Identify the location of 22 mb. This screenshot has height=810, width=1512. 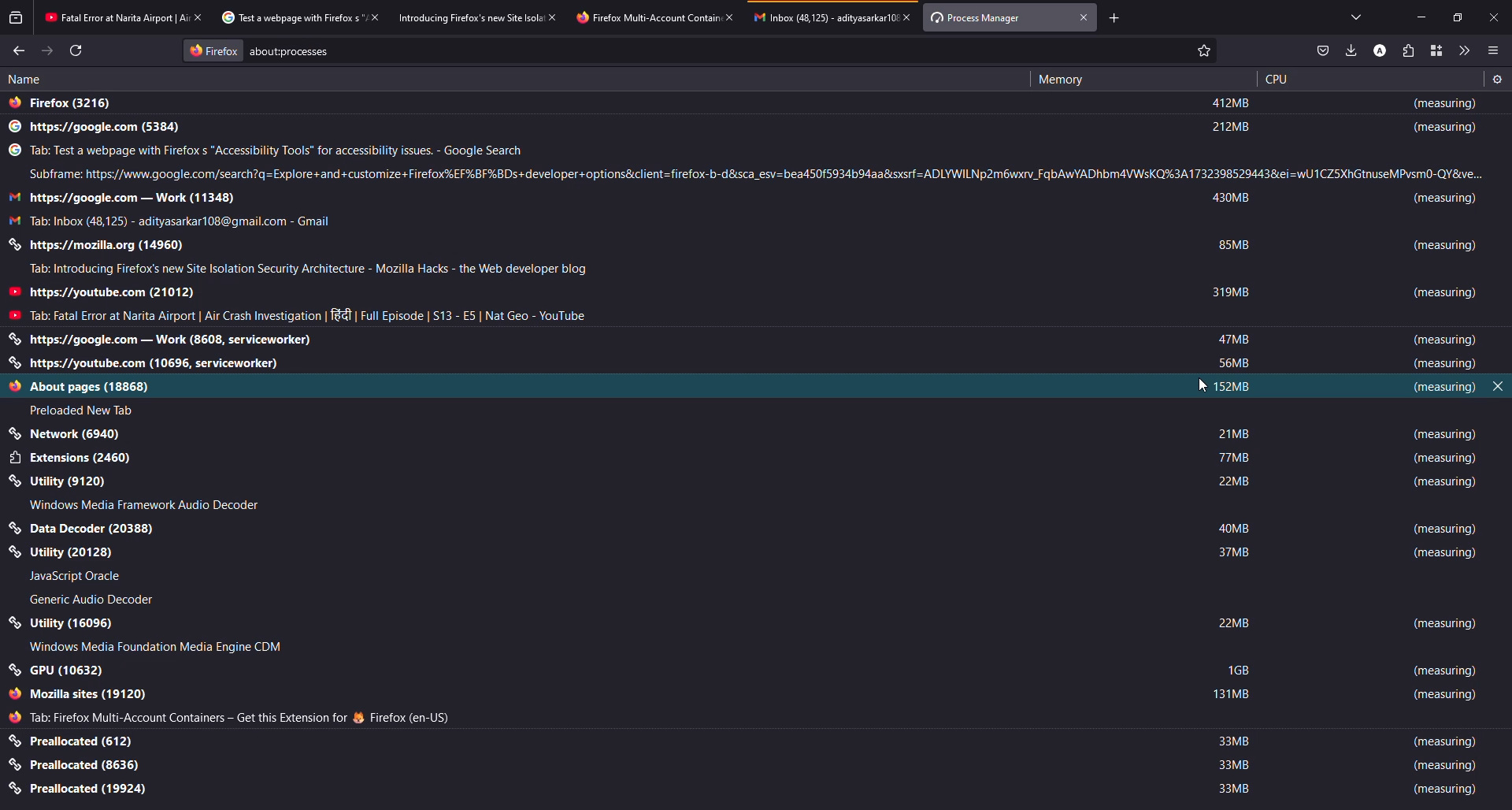
(1235, 481).